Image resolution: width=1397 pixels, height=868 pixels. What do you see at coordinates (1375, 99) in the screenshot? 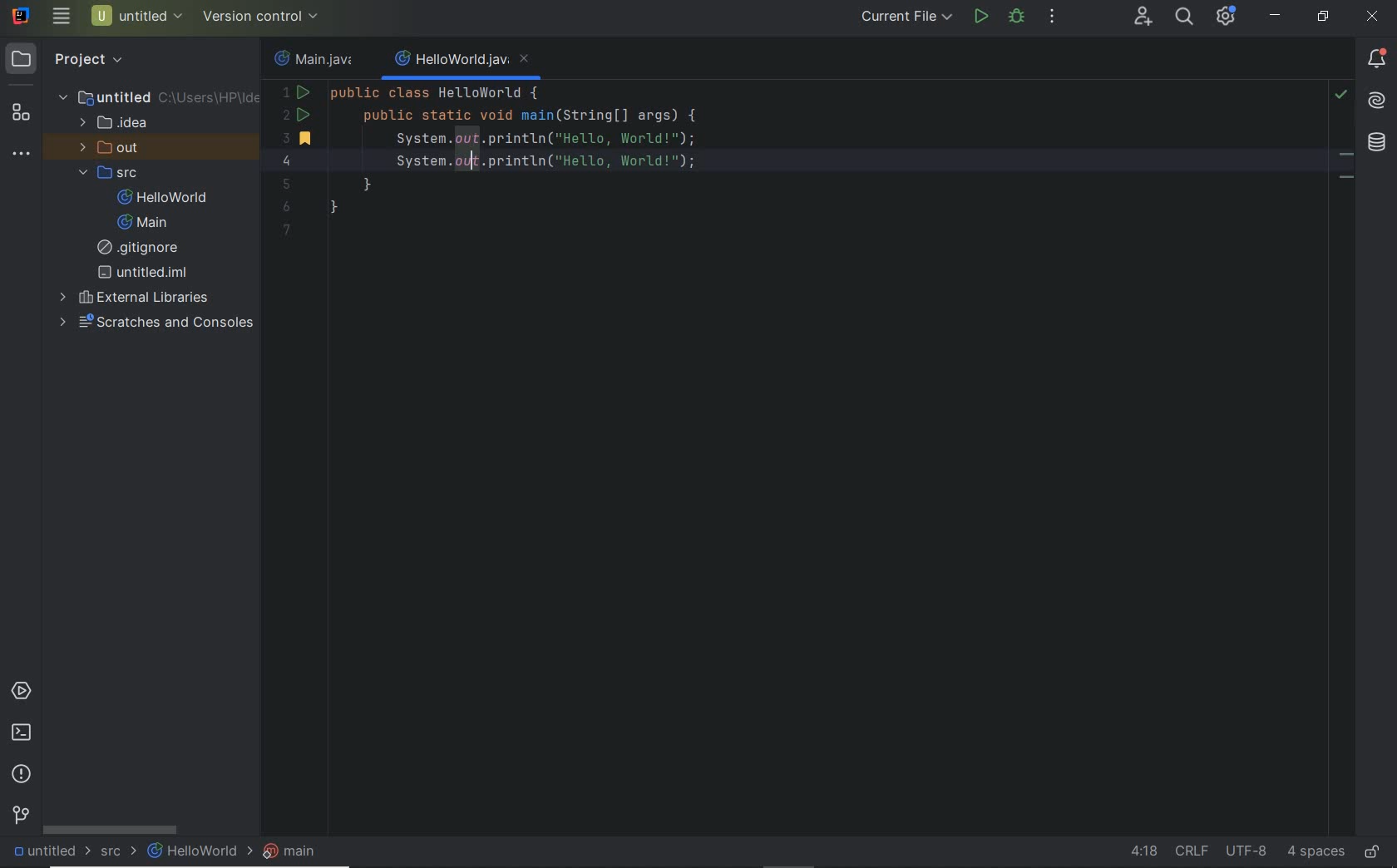
I see `AI Assistant` at bounding box center [1375, 99].